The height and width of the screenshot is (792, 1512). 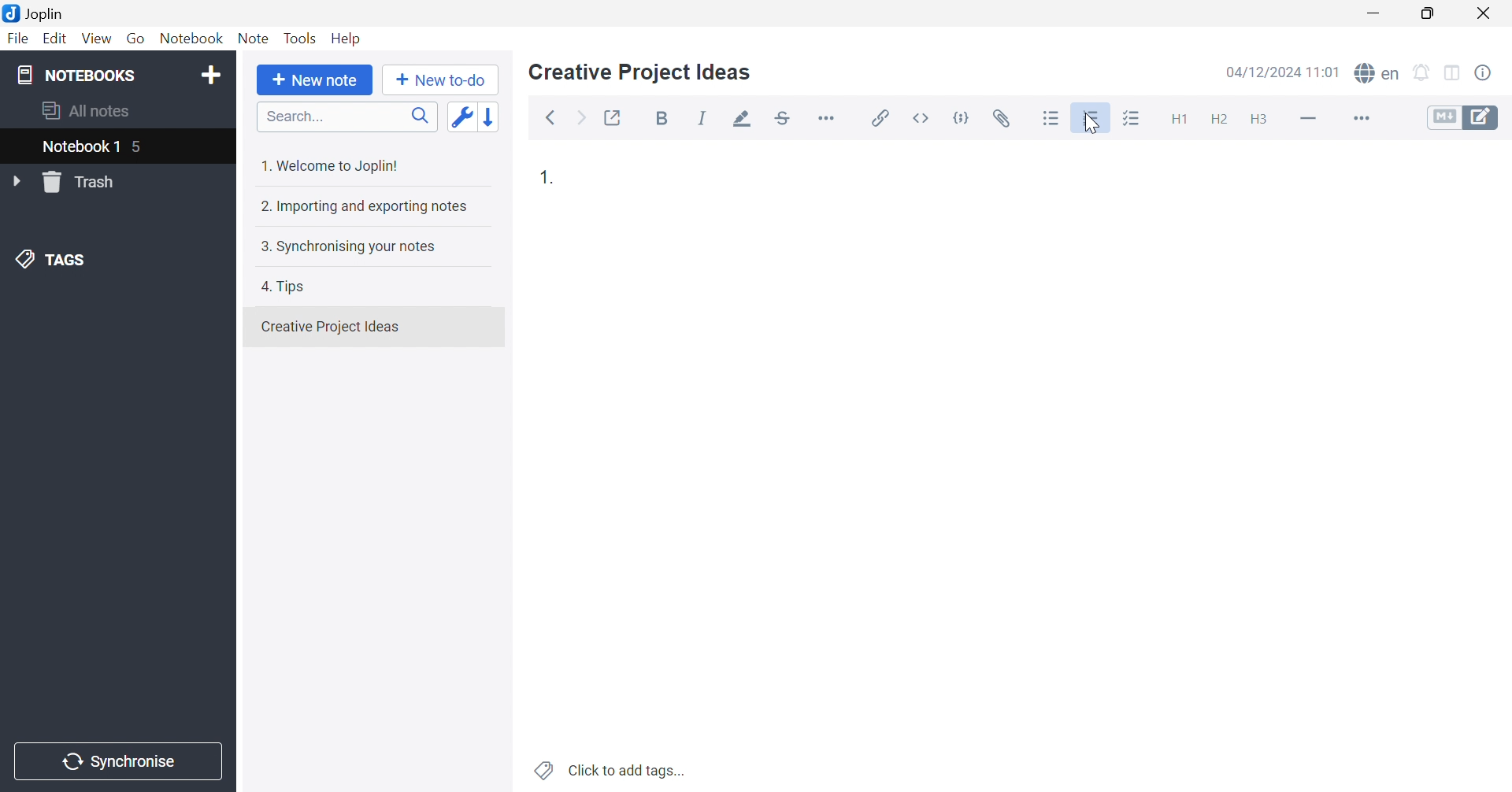 What do you see at coordinates (1259, 122) in the screenshot?
I see `Heading 3` at bounding box center [1259, 122].